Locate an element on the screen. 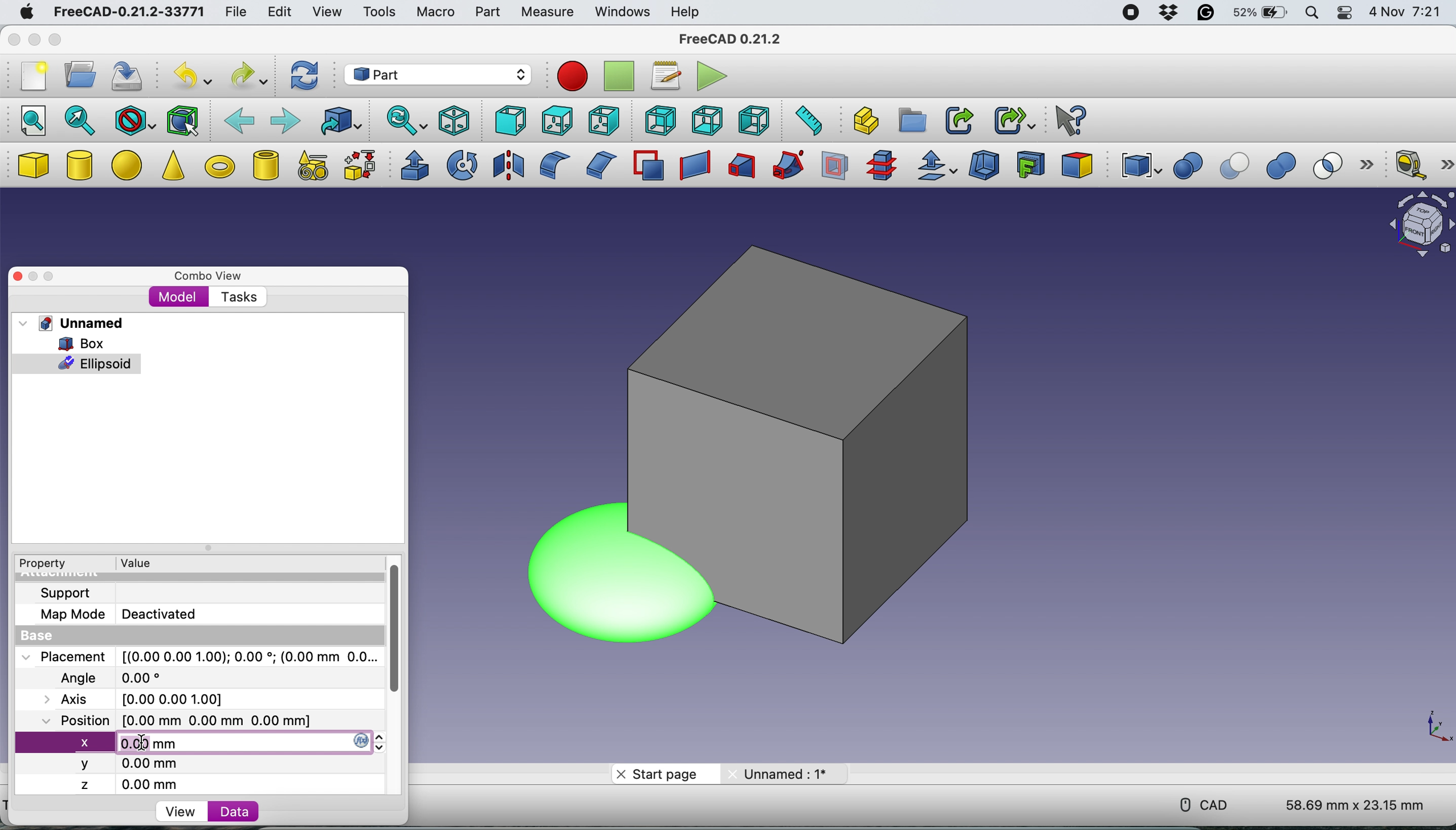 The image size is (1456, 830). record macros is located at coordinates (572, 76).